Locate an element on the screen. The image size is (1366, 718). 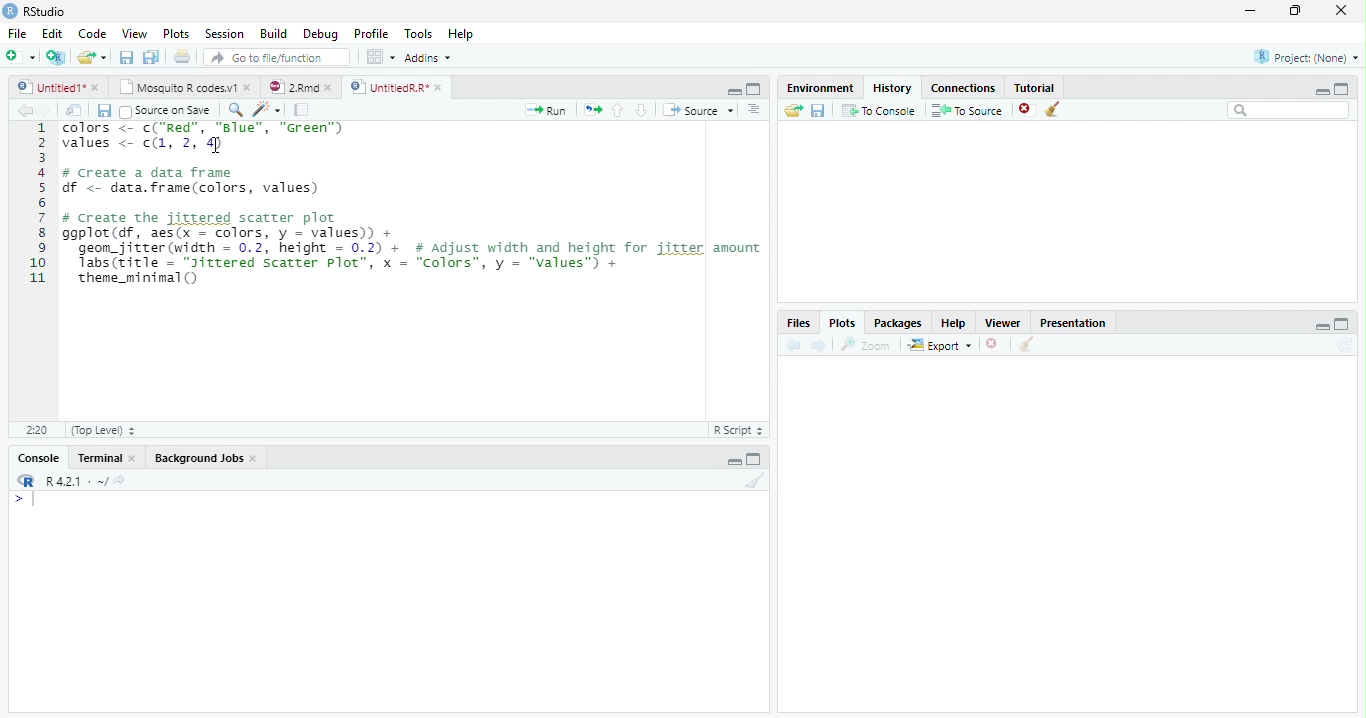
restore is located at coordinates (1295, 11).